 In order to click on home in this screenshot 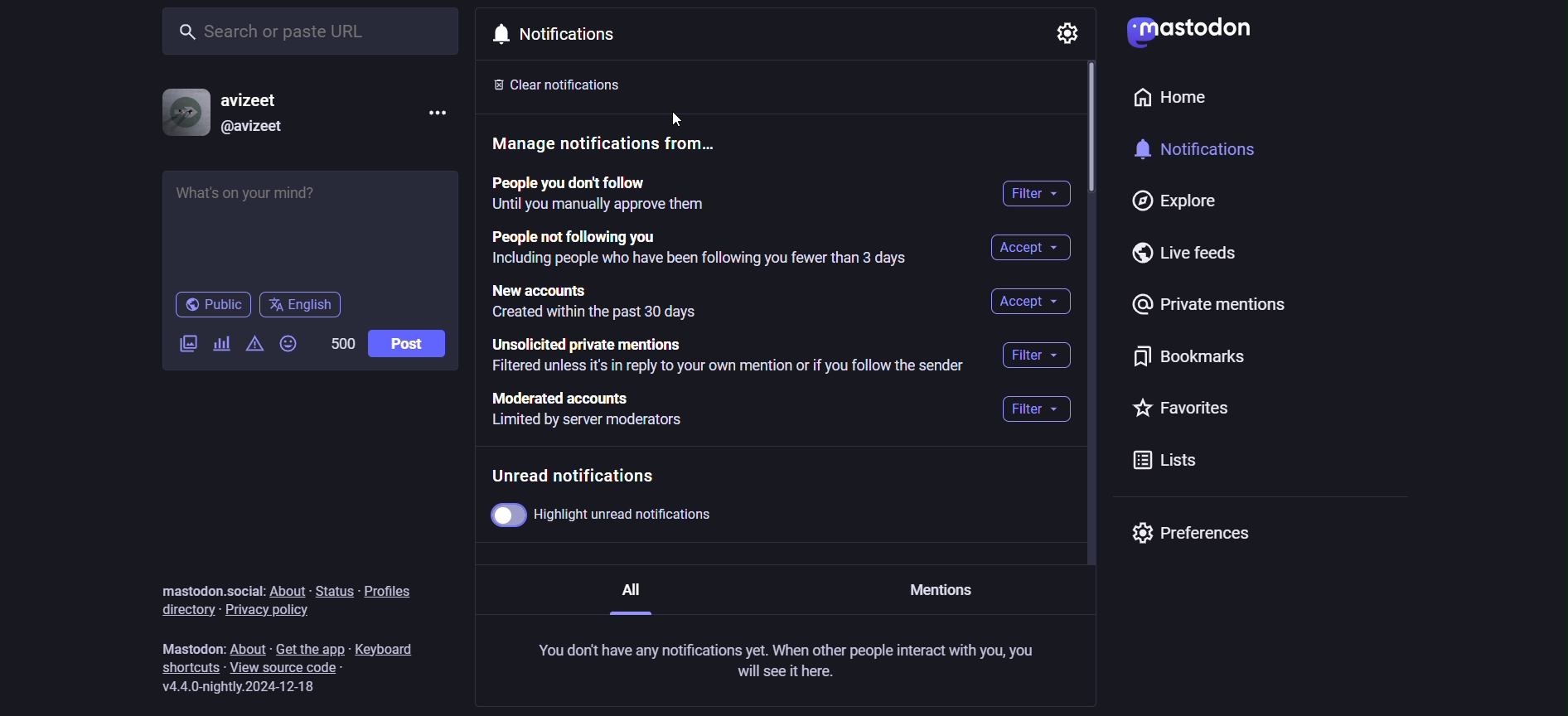, I will do `click(1164, 101)`.